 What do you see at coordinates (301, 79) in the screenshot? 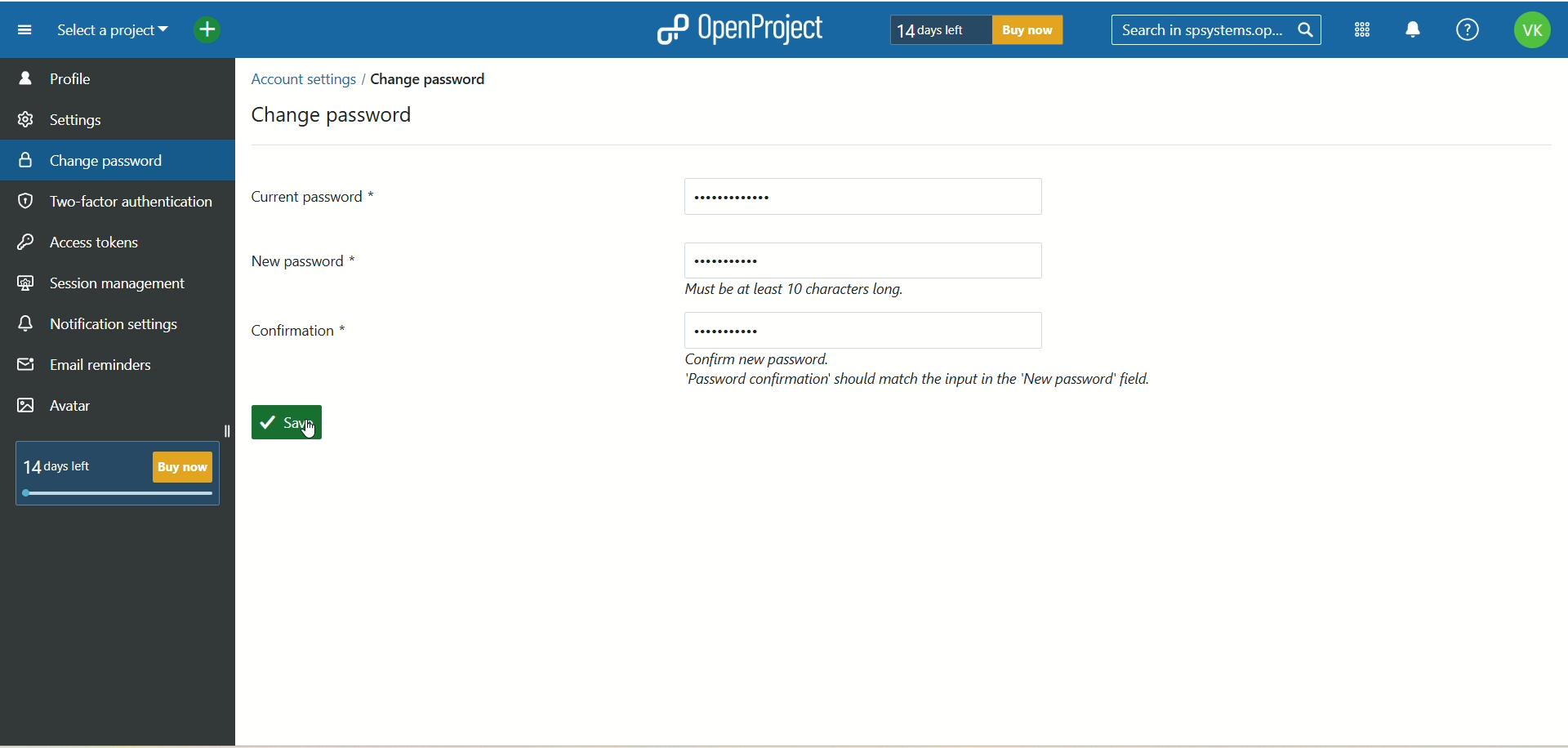
I see `account settings` at bounding box center [301, 79].